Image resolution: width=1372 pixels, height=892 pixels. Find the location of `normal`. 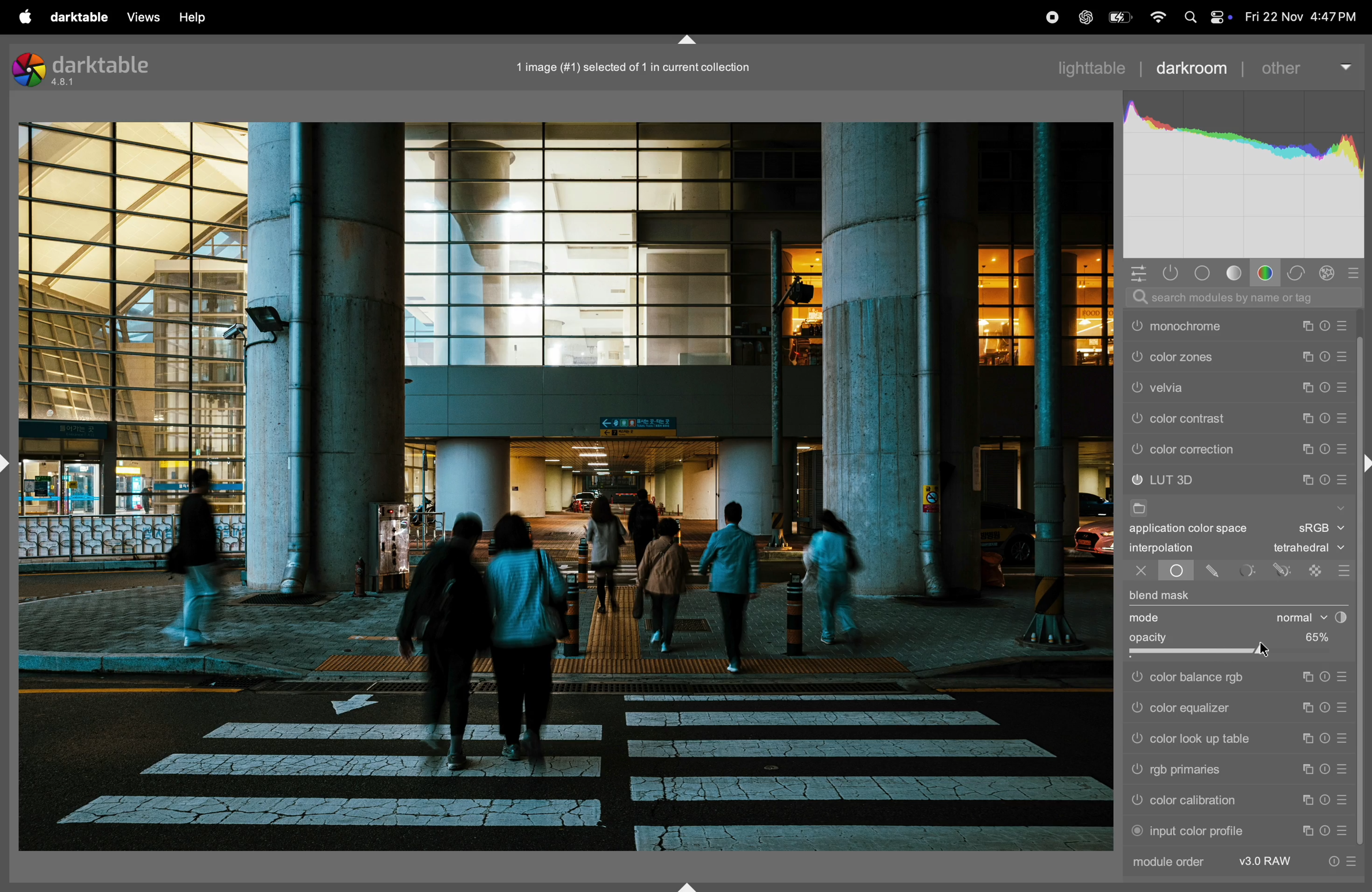

normal is located at coordinates (1292, 617).